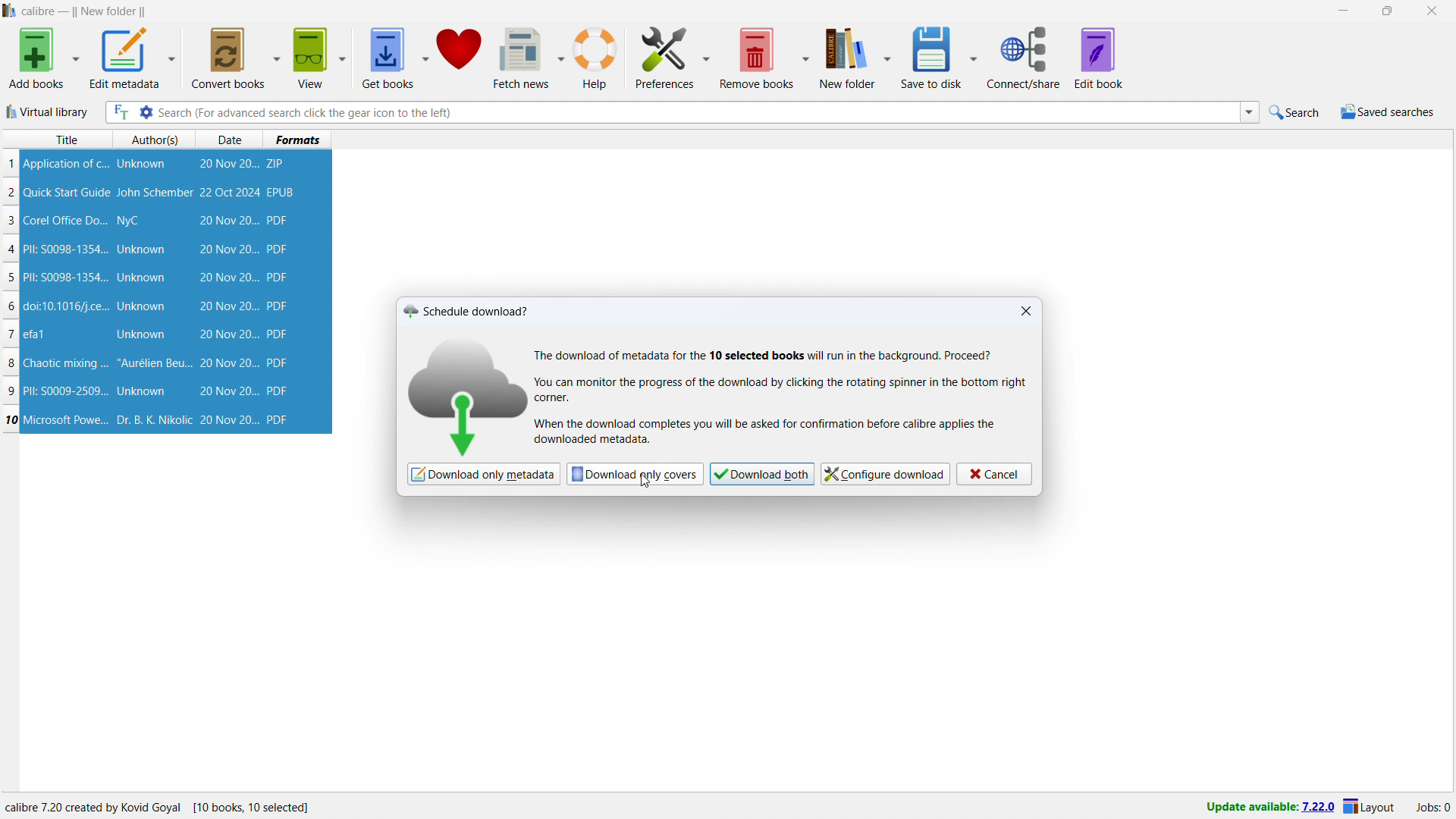 This screenshot has width=1456, height=819. I want to click on NyC, so click(128, 221).